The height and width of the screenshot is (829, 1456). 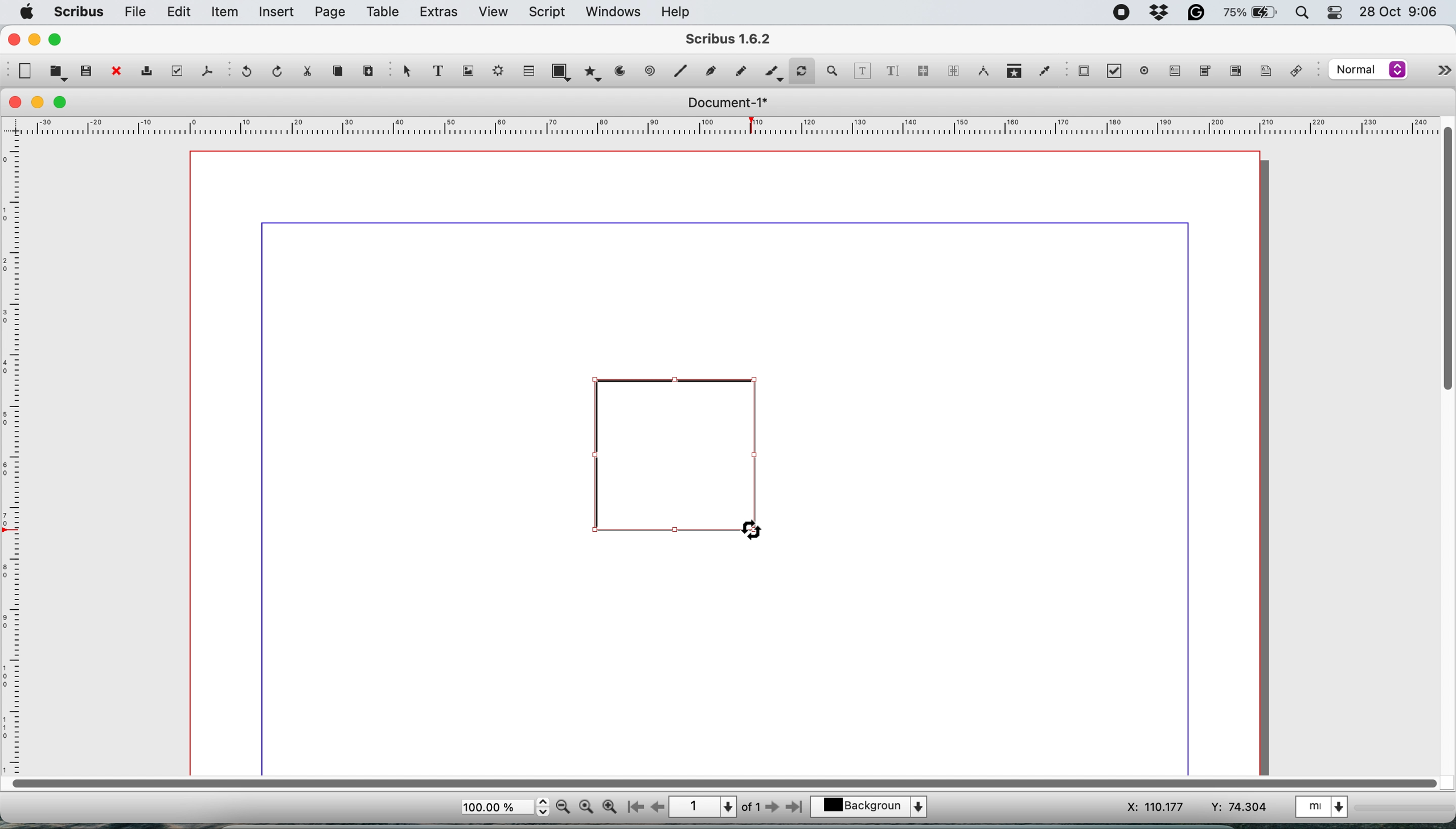 I want to click on text frame, so click(x=444, y=72).